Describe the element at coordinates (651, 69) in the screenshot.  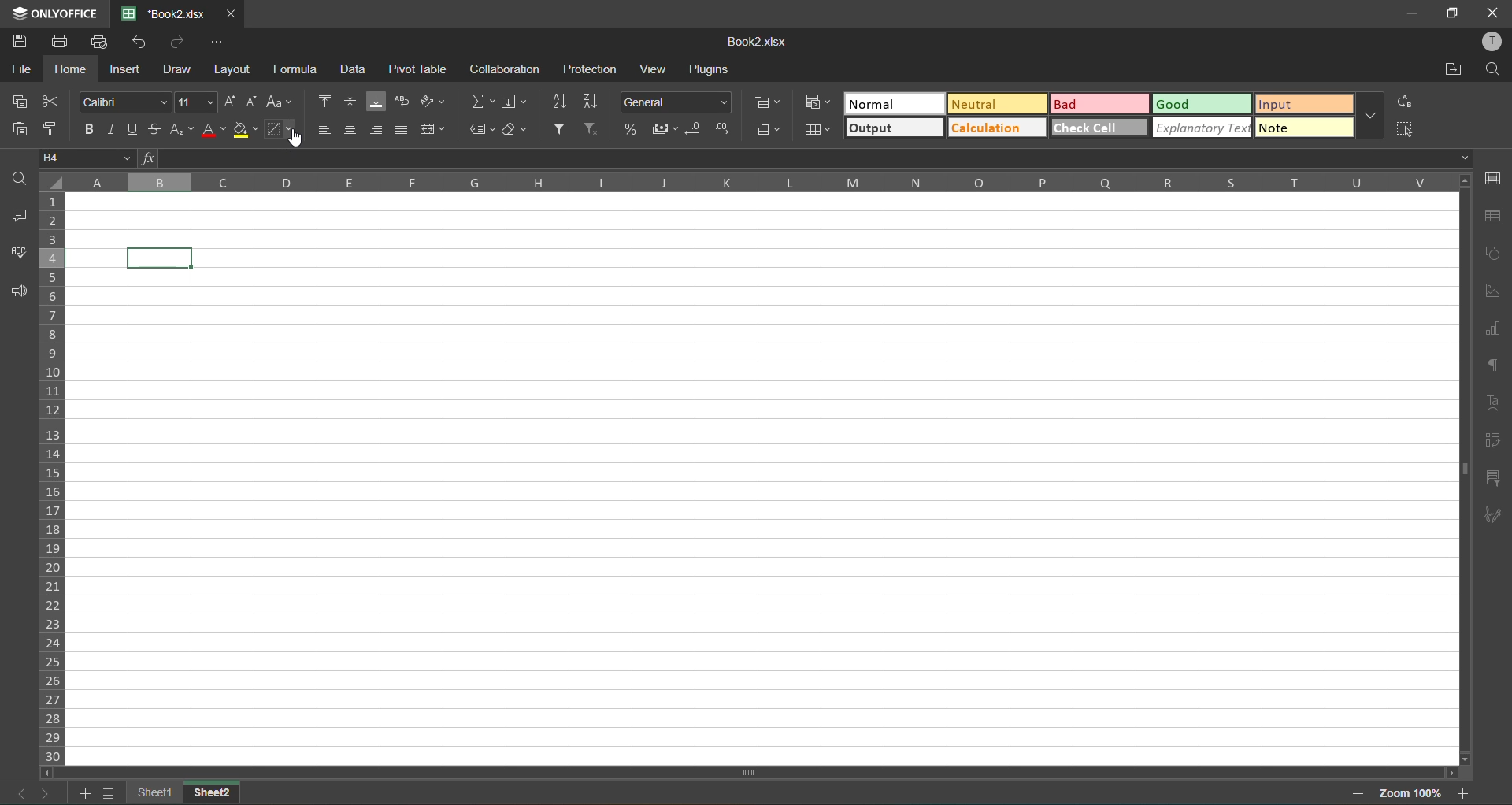
I see `view` at that location.